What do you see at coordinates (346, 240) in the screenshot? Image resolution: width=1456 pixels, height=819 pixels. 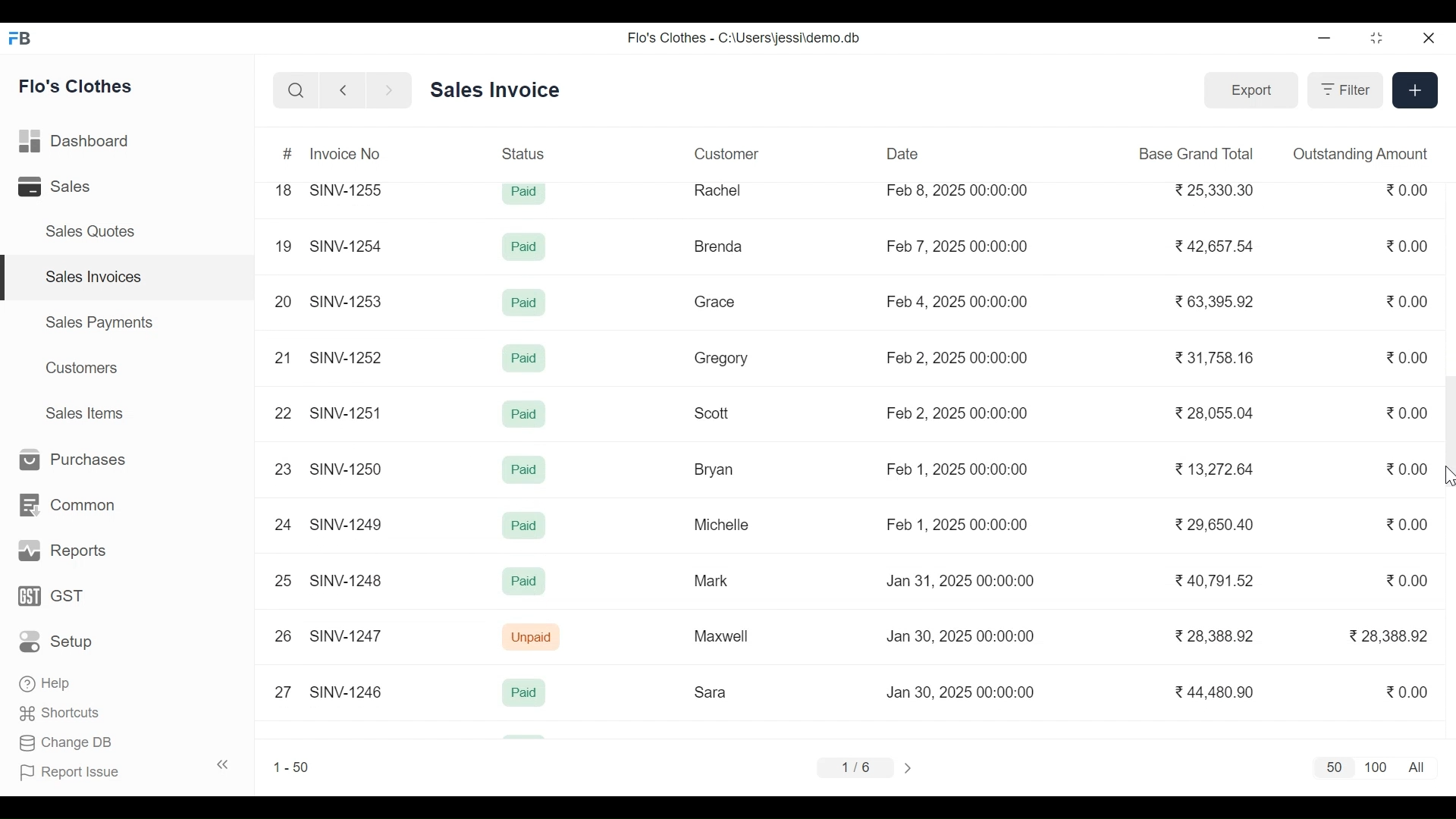 I see `SINV-1254` at bounding box center [346, 240].